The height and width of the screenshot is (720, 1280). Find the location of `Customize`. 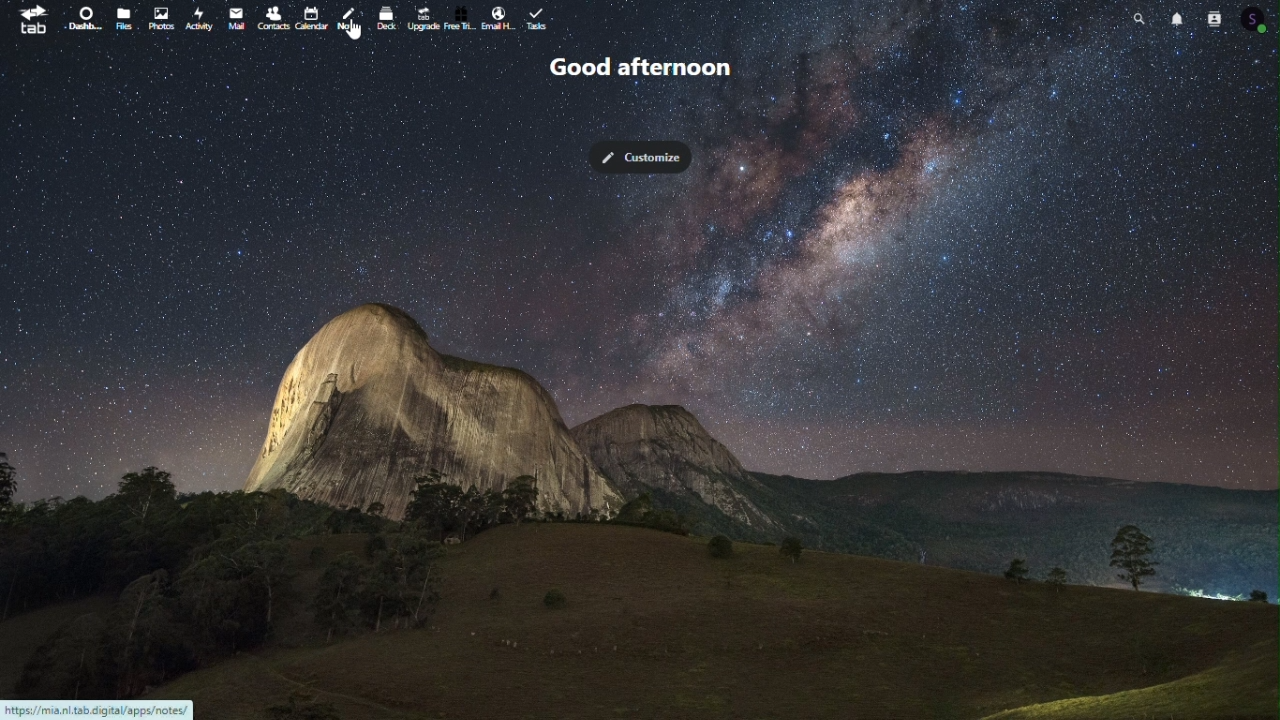

Customize is located at coordinates (642, 155).